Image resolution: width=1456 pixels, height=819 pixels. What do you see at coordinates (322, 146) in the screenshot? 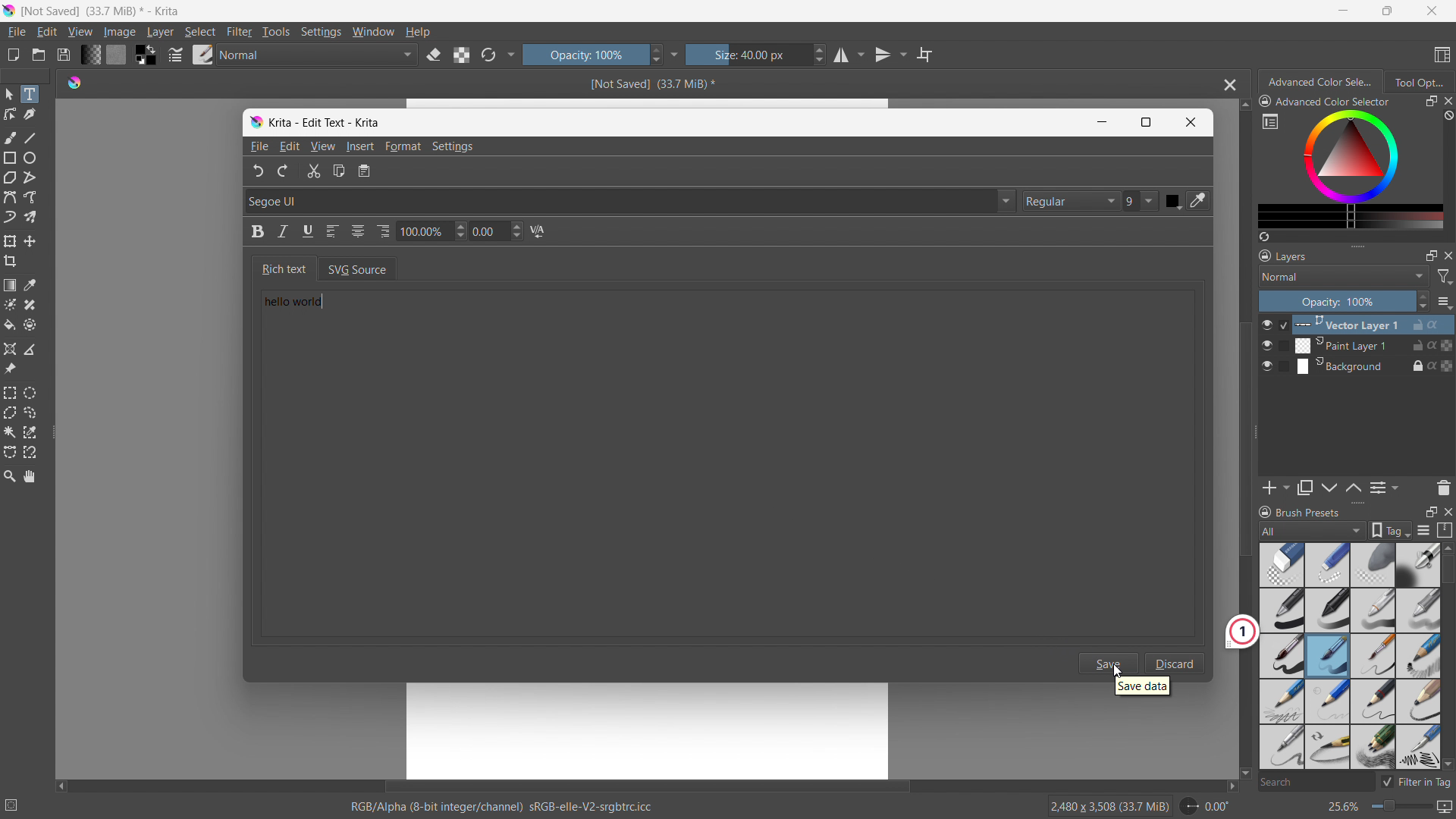
I see `View` at bounding box center [322, 146].